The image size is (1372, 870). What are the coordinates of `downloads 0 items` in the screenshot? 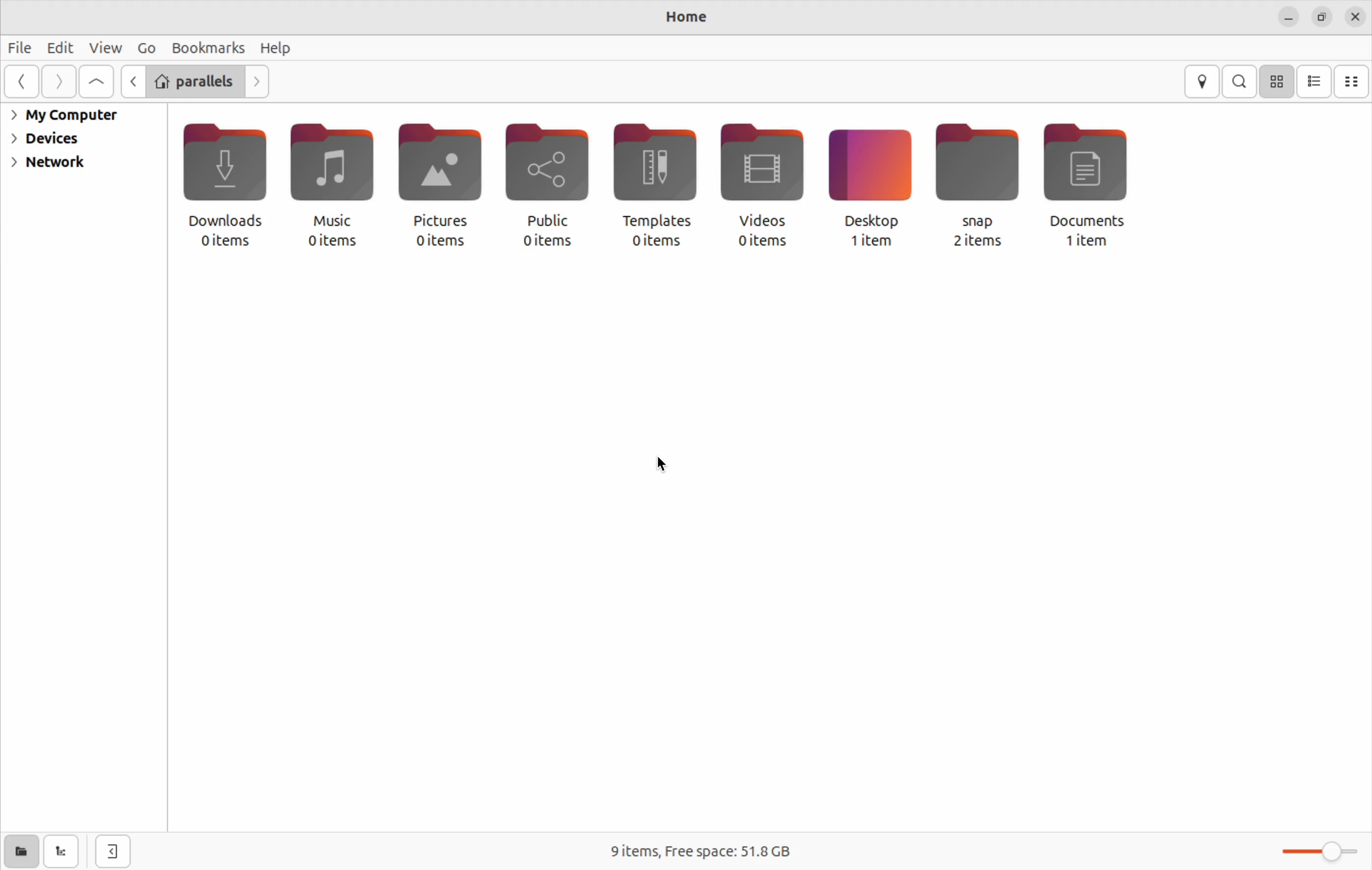 It's located at (220, 187).